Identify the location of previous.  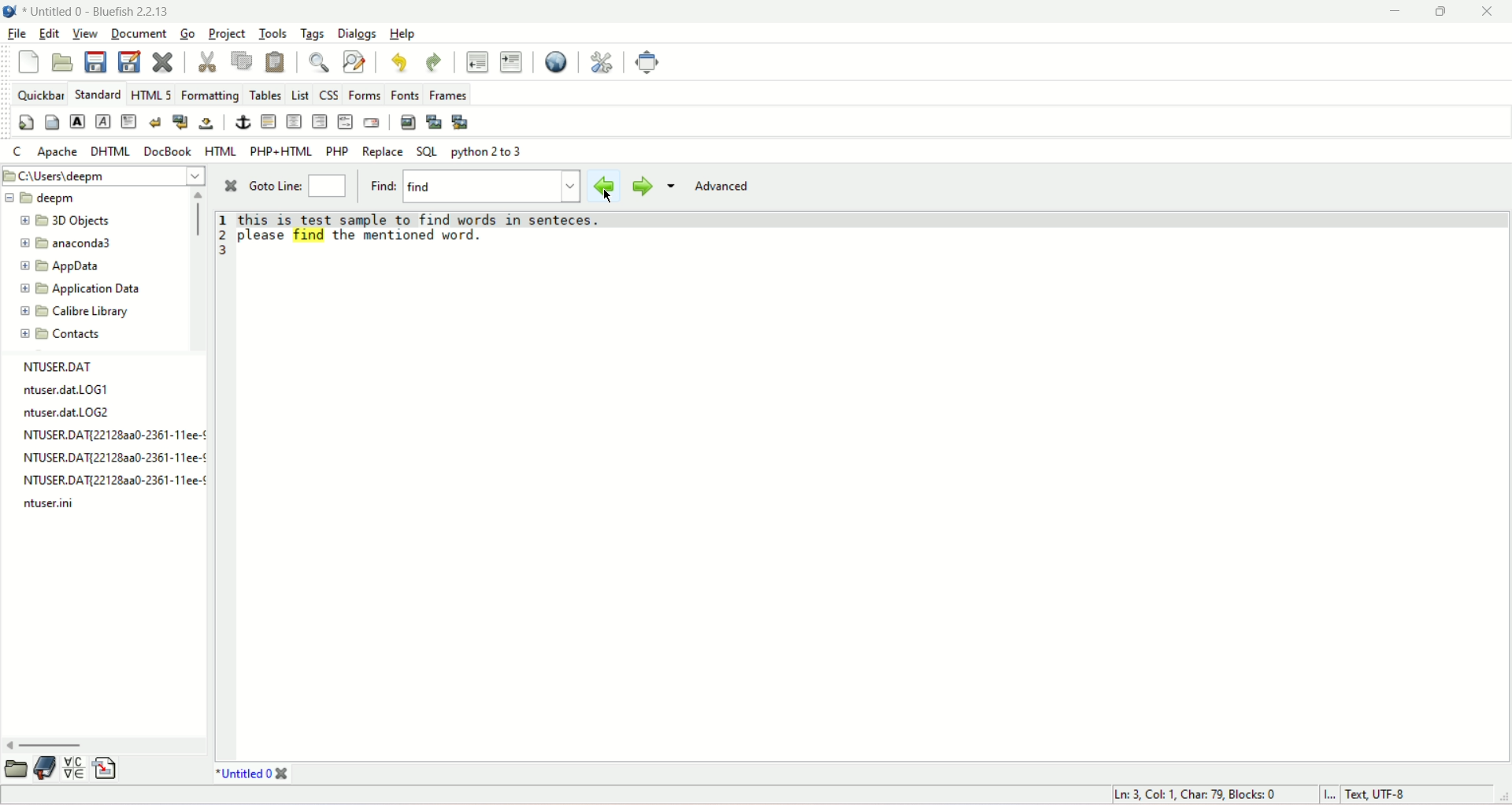
(604, 187).